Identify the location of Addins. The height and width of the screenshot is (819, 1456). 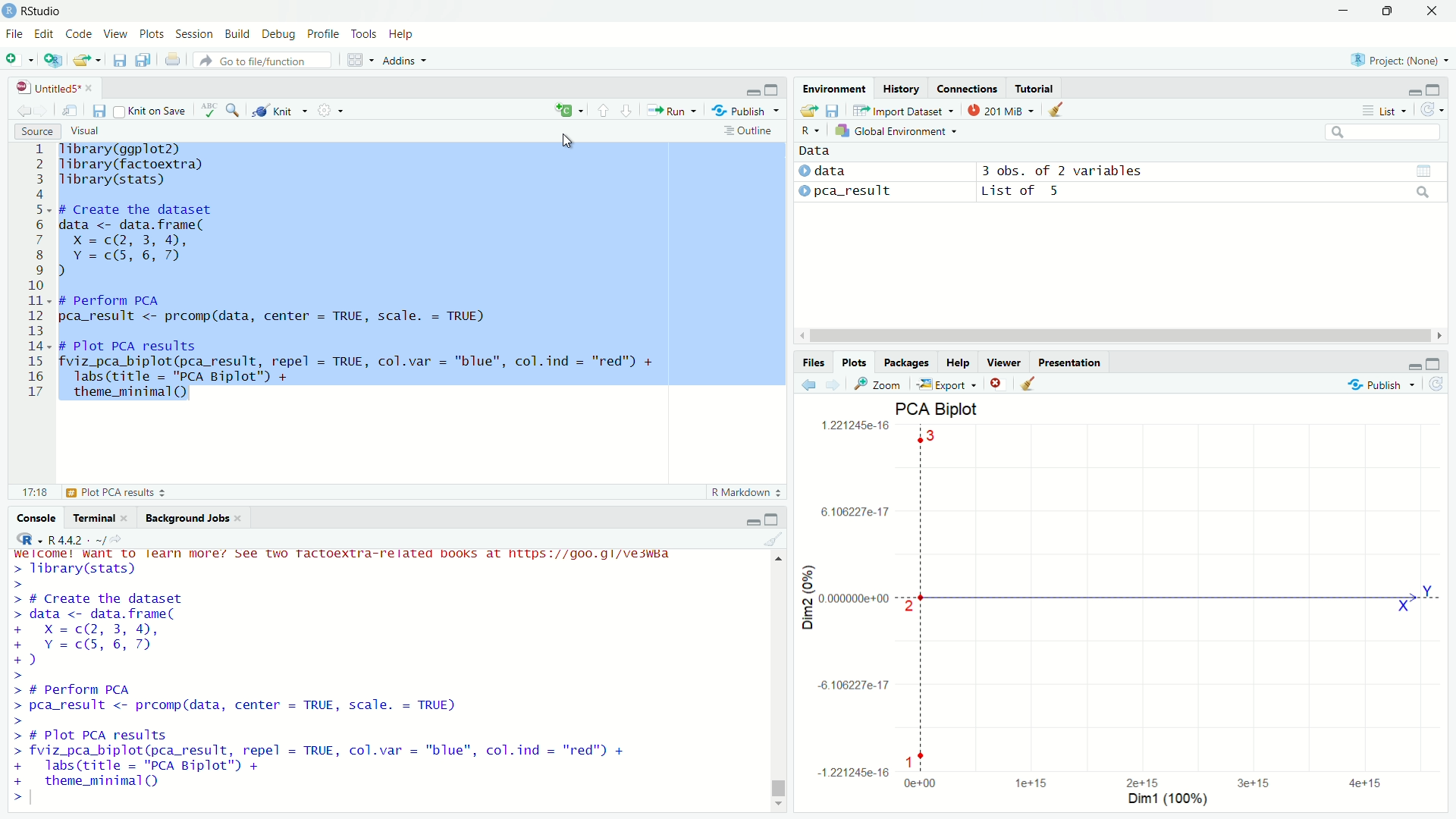
(405, 60).